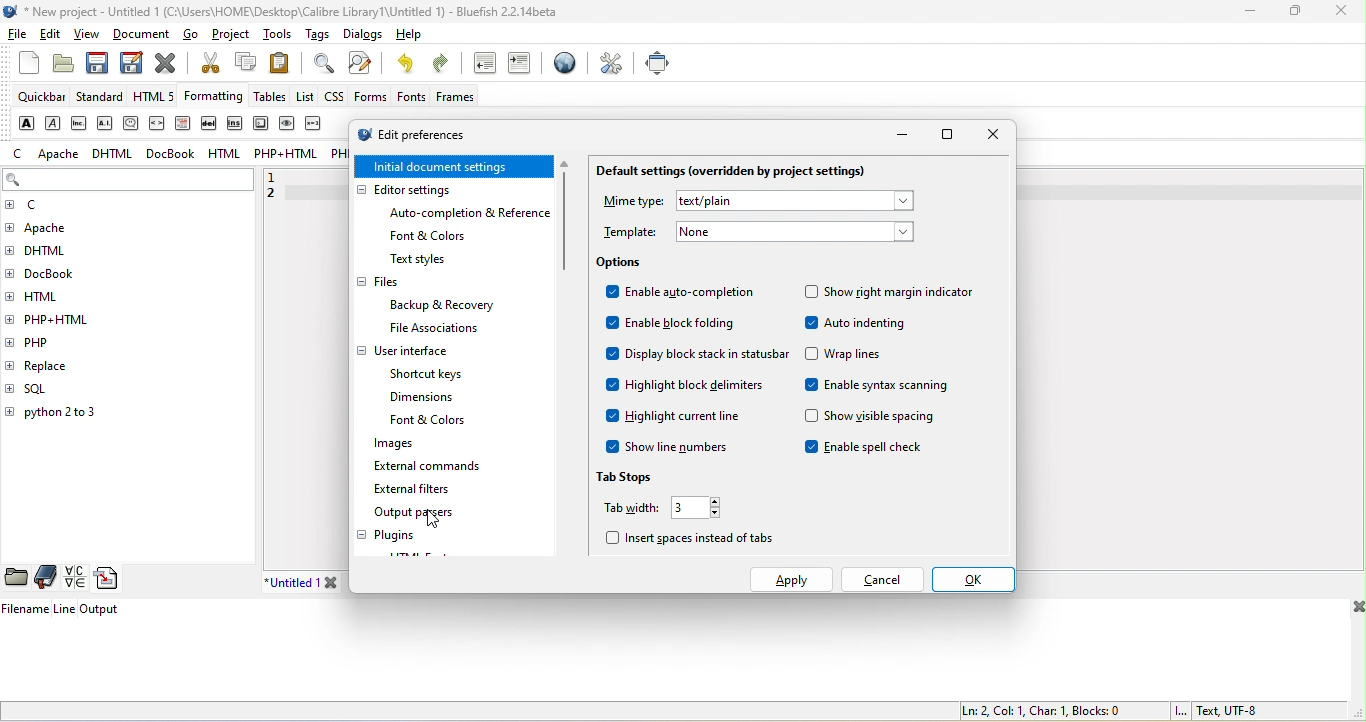 The height and width of the screenshot is (722, 1366). Describe the element at coordinates (415, 489) in the screenshot. I see `external filters` at that location.